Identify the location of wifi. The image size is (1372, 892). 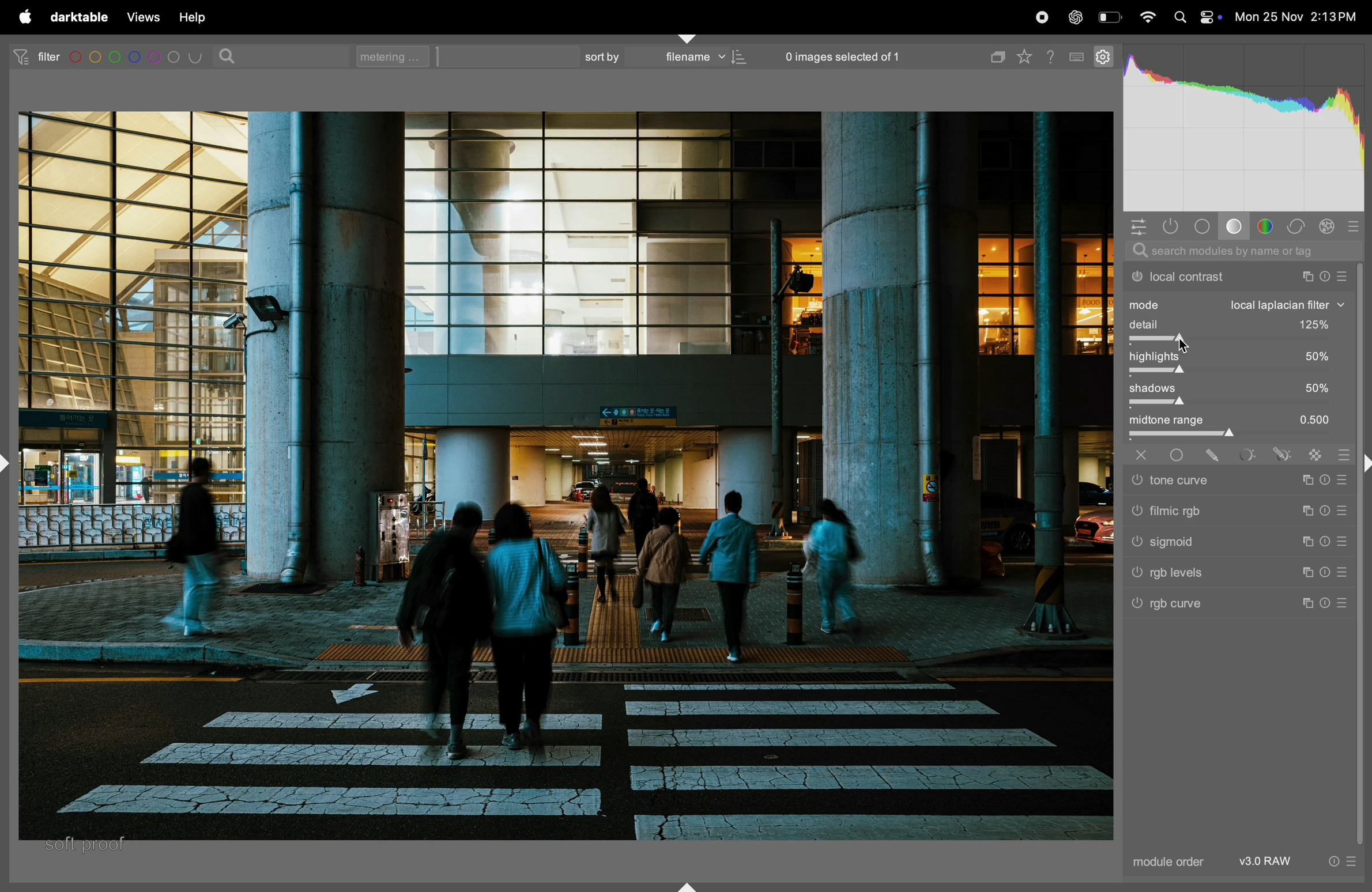
(1148, 19).